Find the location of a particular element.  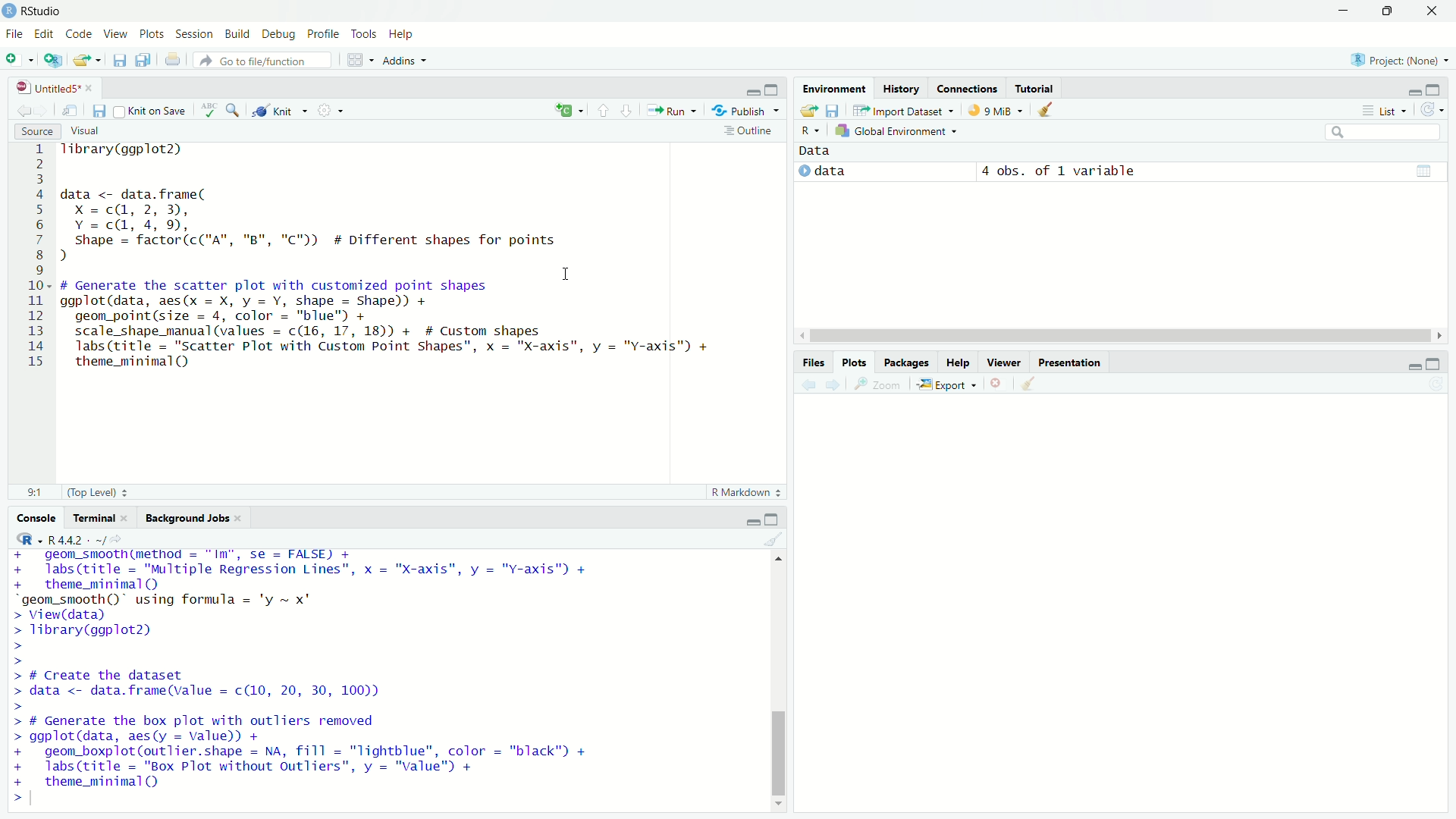

close is located at coordinates (124, 518).